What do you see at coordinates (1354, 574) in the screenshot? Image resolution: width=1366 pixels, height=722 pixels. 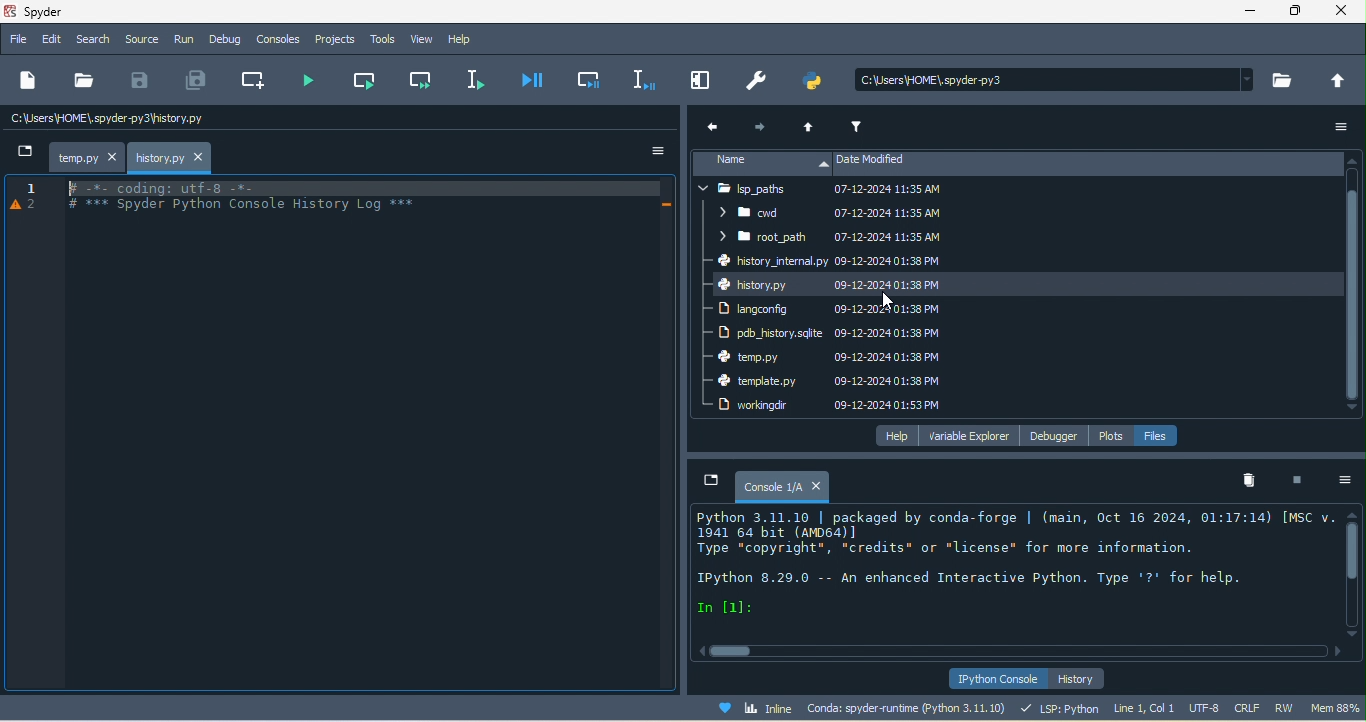 I see `vertical scroll bar` at bounding box center [1354, 574].